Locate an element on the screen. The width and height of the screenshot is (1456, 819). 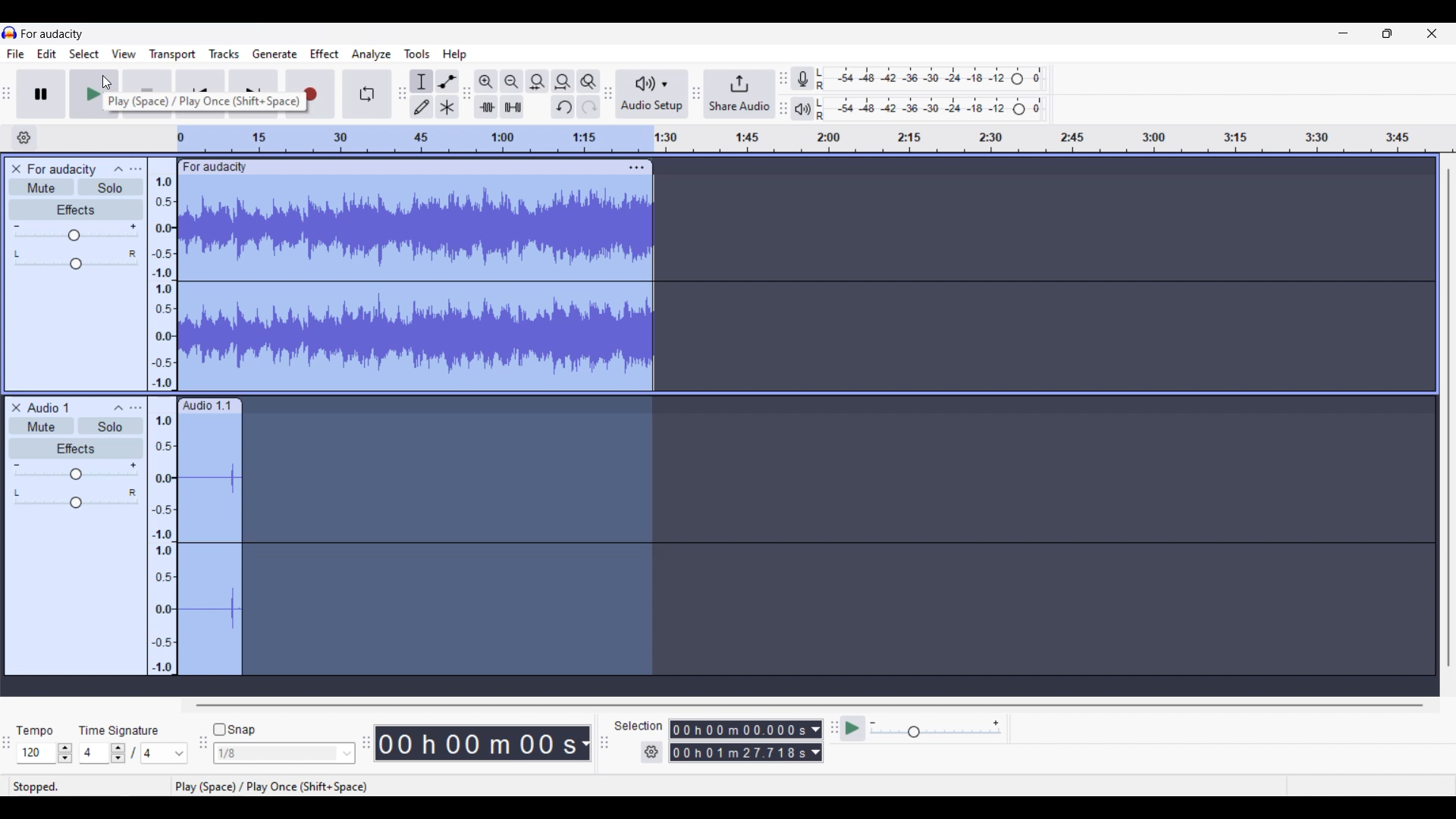
Selection duration is located at coordinates (739, 742).